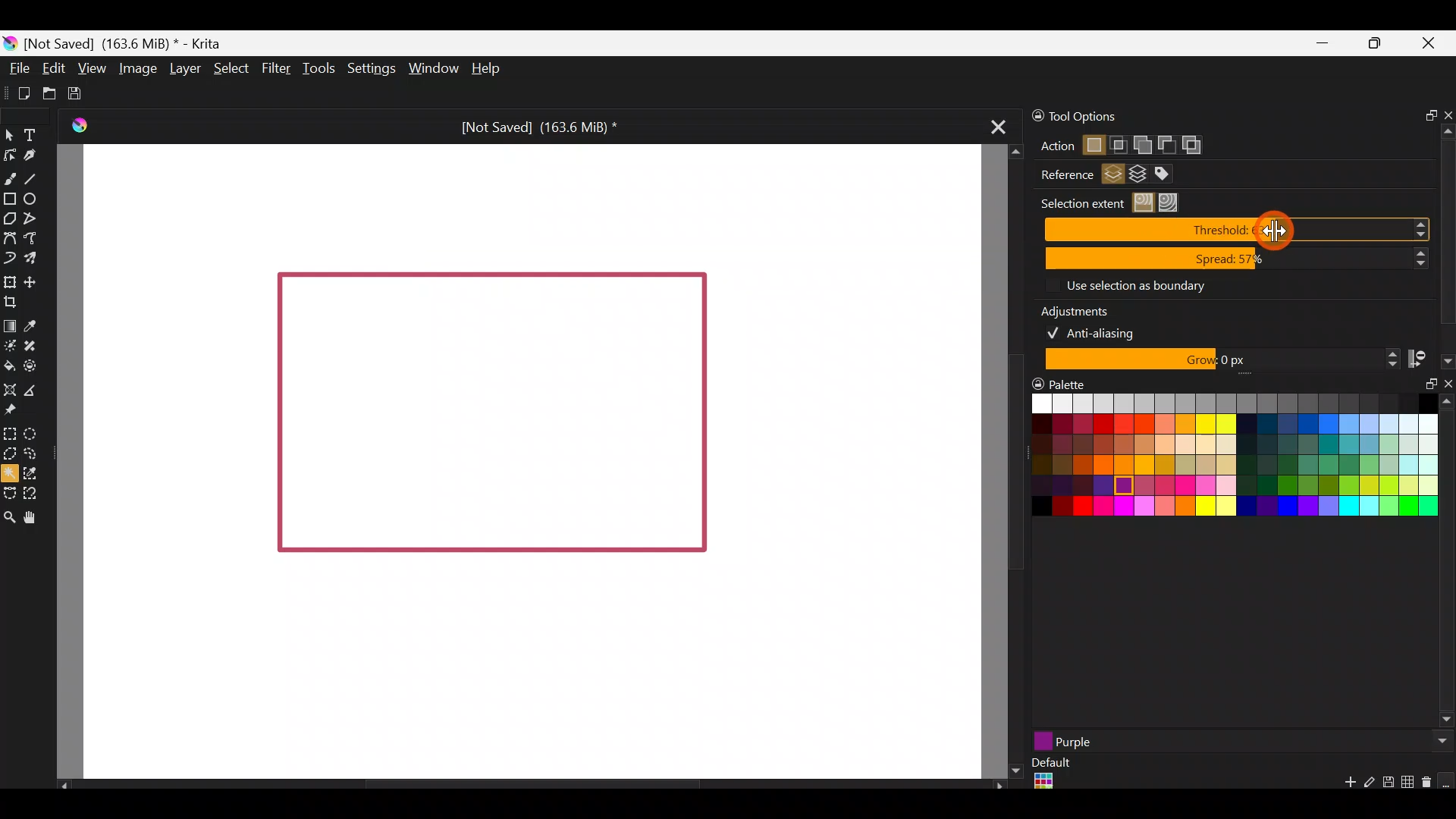 The height and width of the screenshot is (819, 1456). Describe the element at coordinates (491, 415) in the screenshot. I see `Rectangle shape on Canvas` at that location.